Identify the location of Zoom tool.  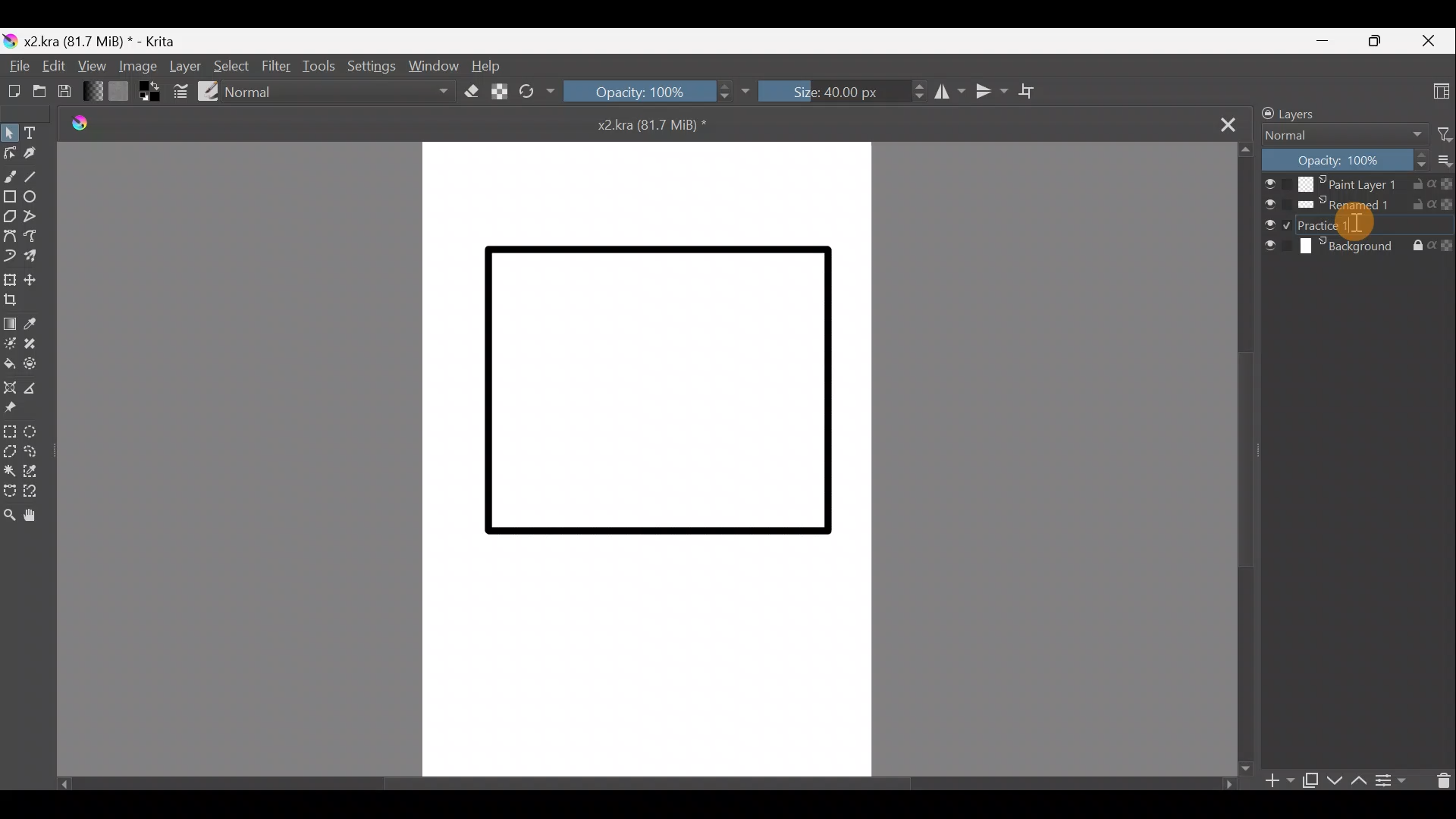
(11, 515).